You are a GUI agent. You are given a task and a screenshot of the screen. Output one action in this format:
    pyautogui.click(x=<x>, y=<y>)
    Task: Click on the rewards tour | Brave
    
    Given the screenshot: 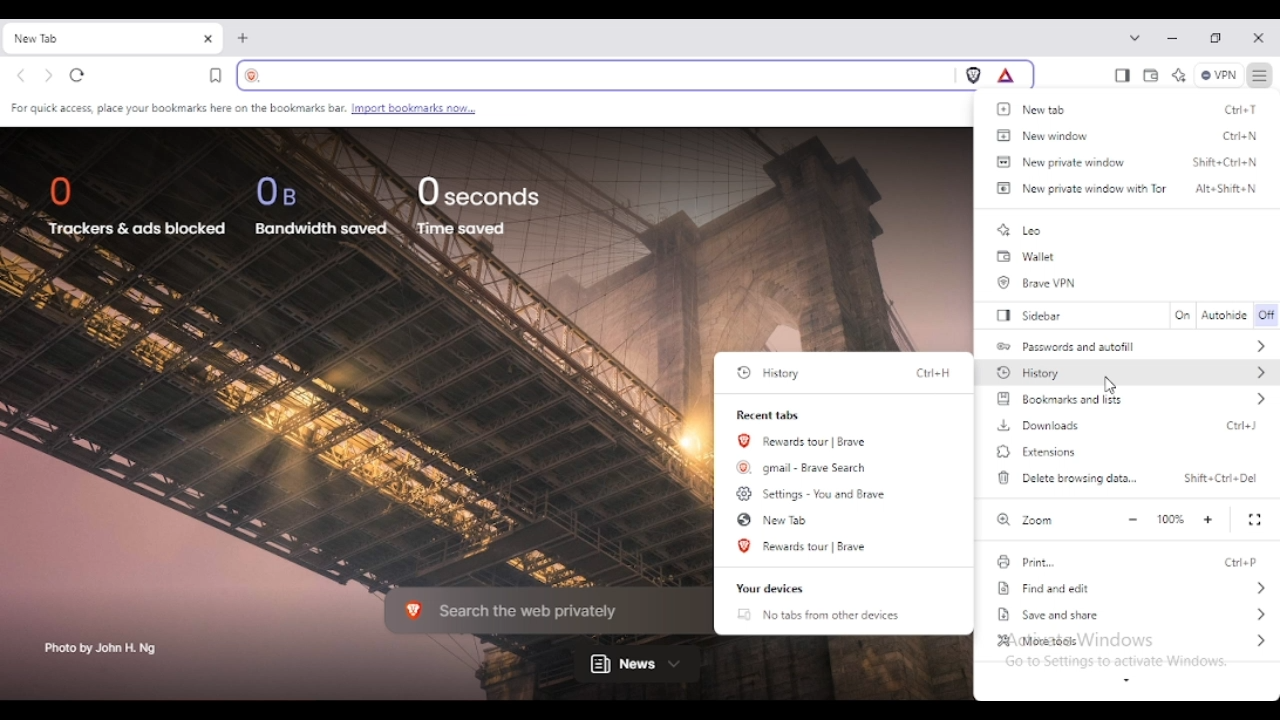 What is the action you would take?
    pyautogui.click(x=804, y=441)
    